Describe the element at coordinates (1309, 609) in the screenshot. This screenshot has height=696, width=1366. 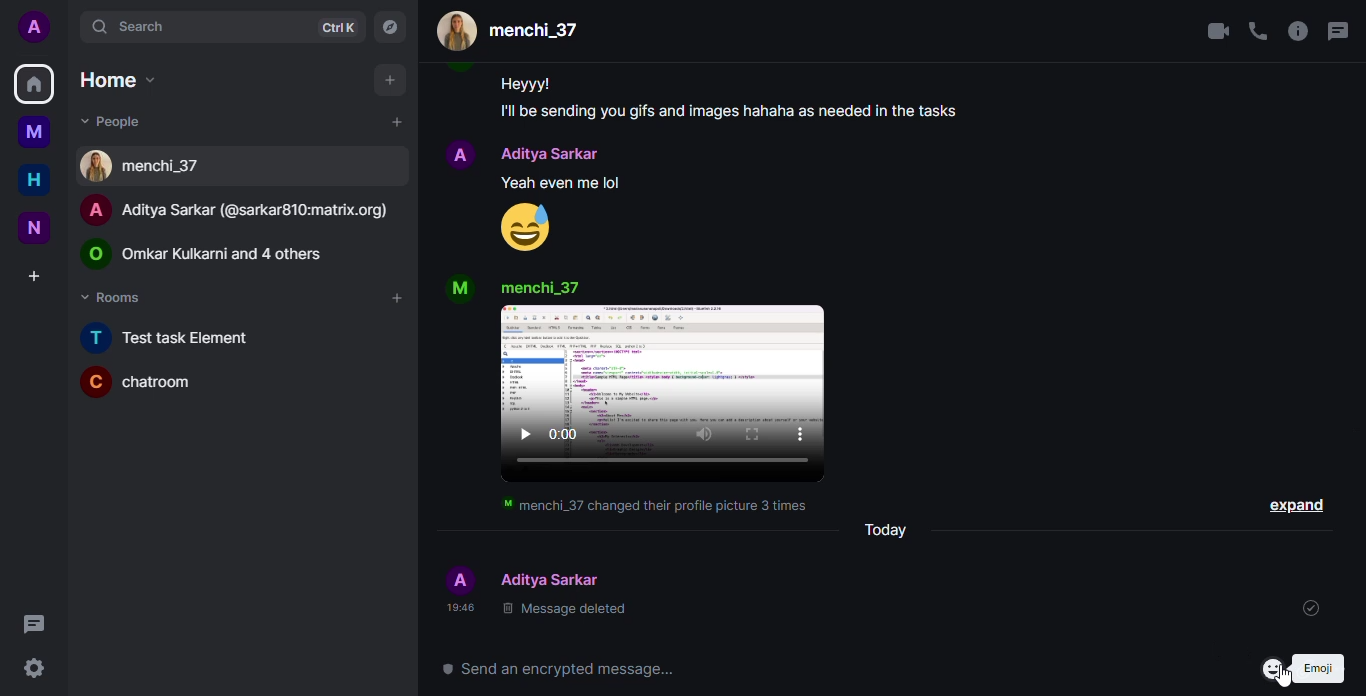
I see `sent` at that location.